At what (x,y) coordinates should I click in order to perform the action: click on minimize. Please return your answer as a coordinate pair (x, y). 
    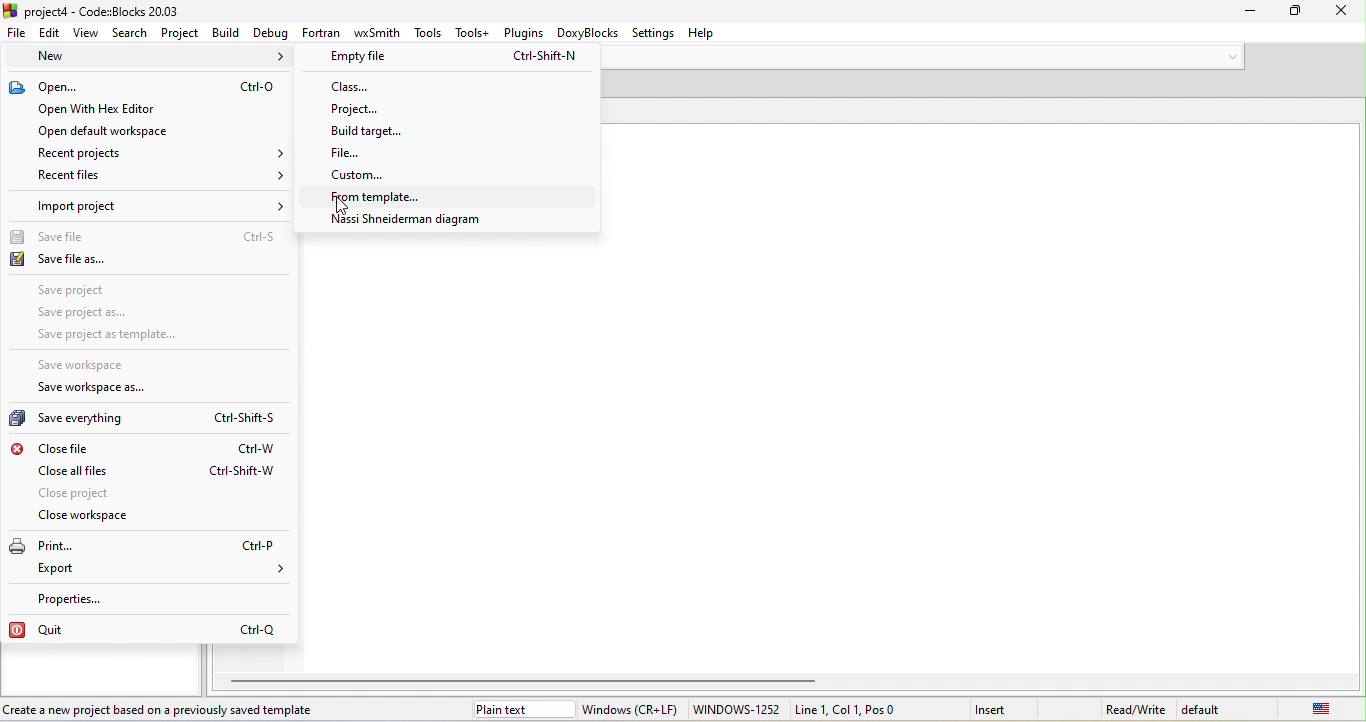
    Looking at the image, I should click on (1240, 12).